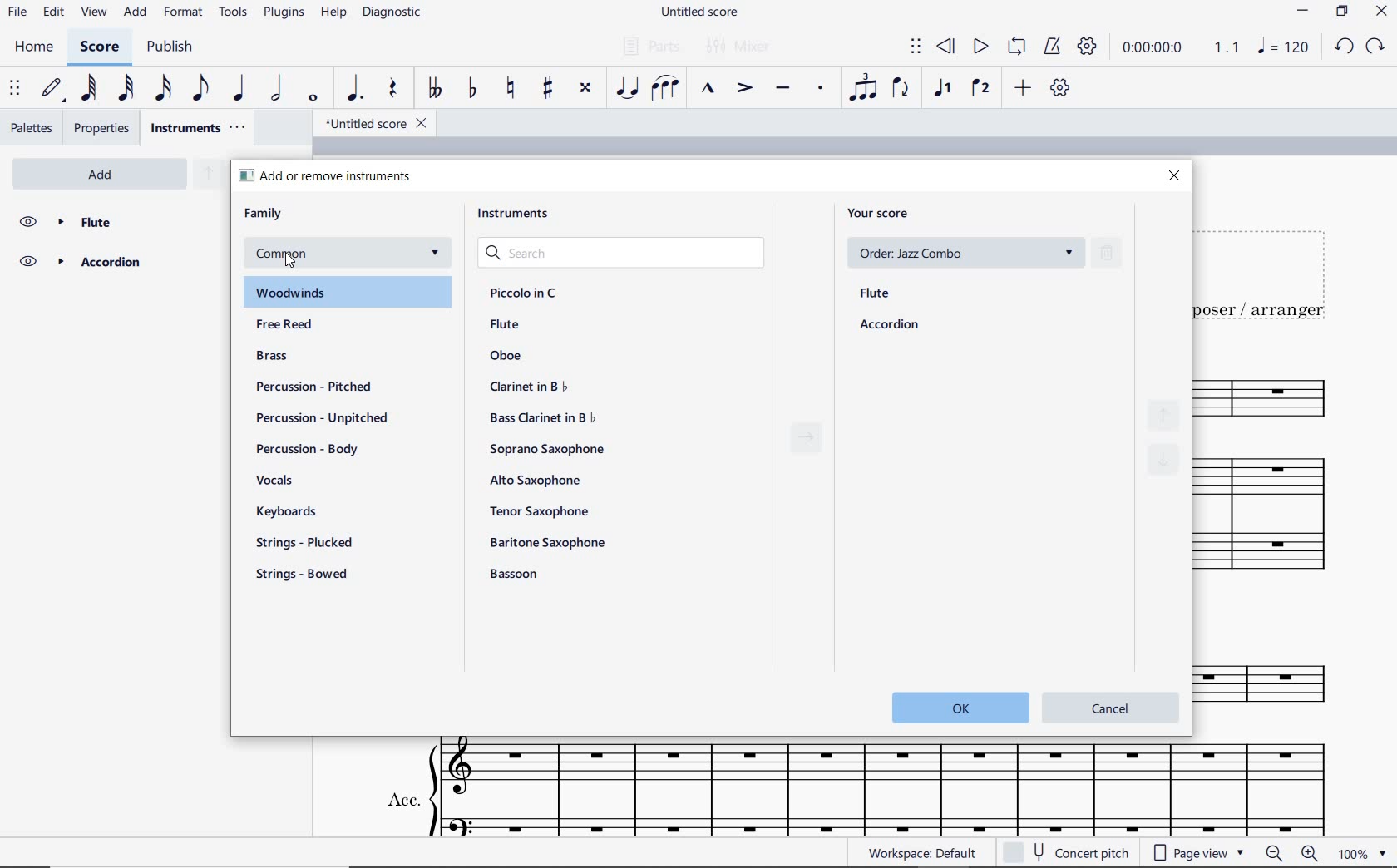  Describe the element at coordinates (920, 852) in the screenshot. I see `workspace: default` at that location.